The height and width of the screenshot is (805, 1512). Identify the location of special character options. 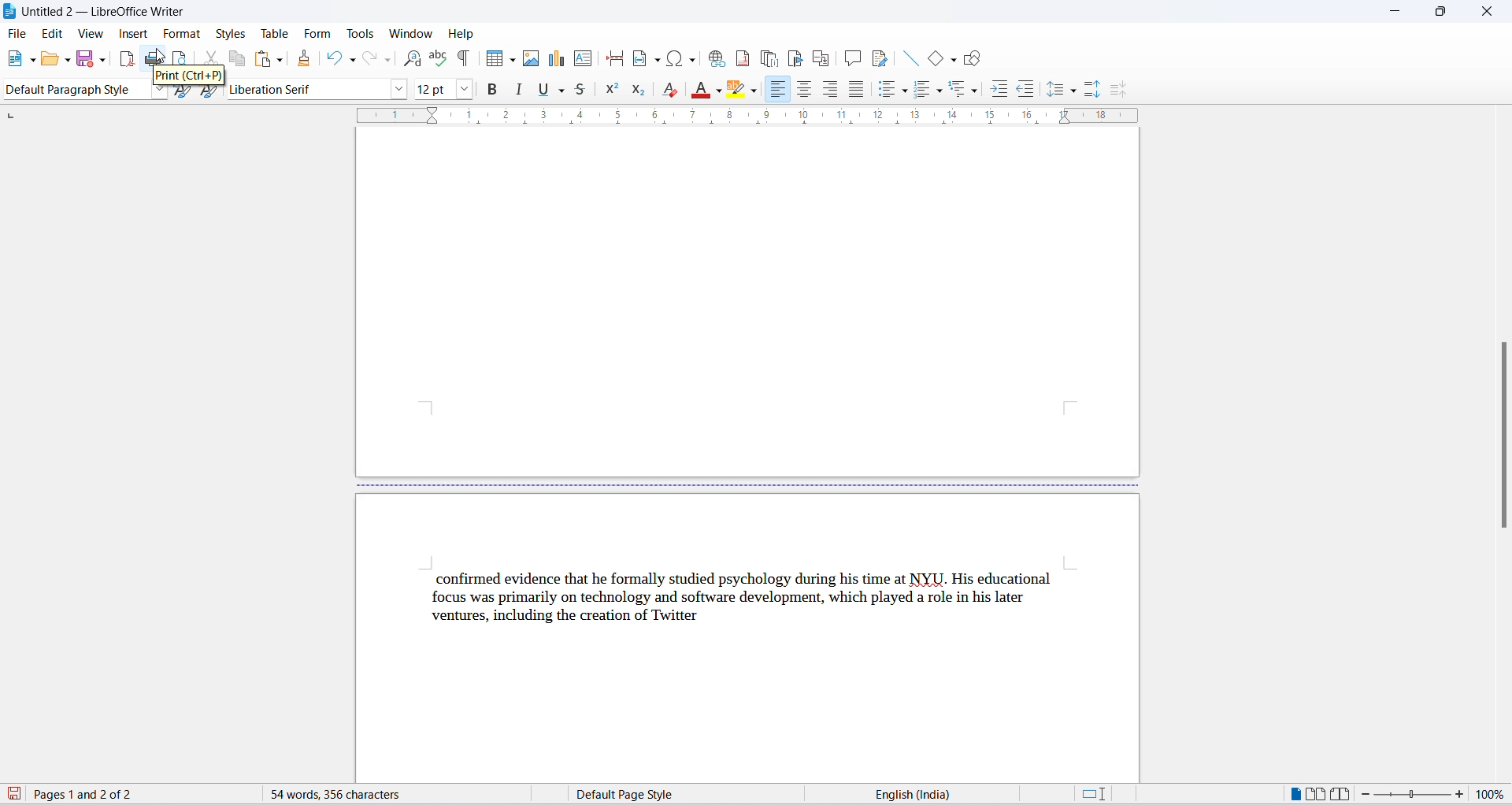
(692, 58).